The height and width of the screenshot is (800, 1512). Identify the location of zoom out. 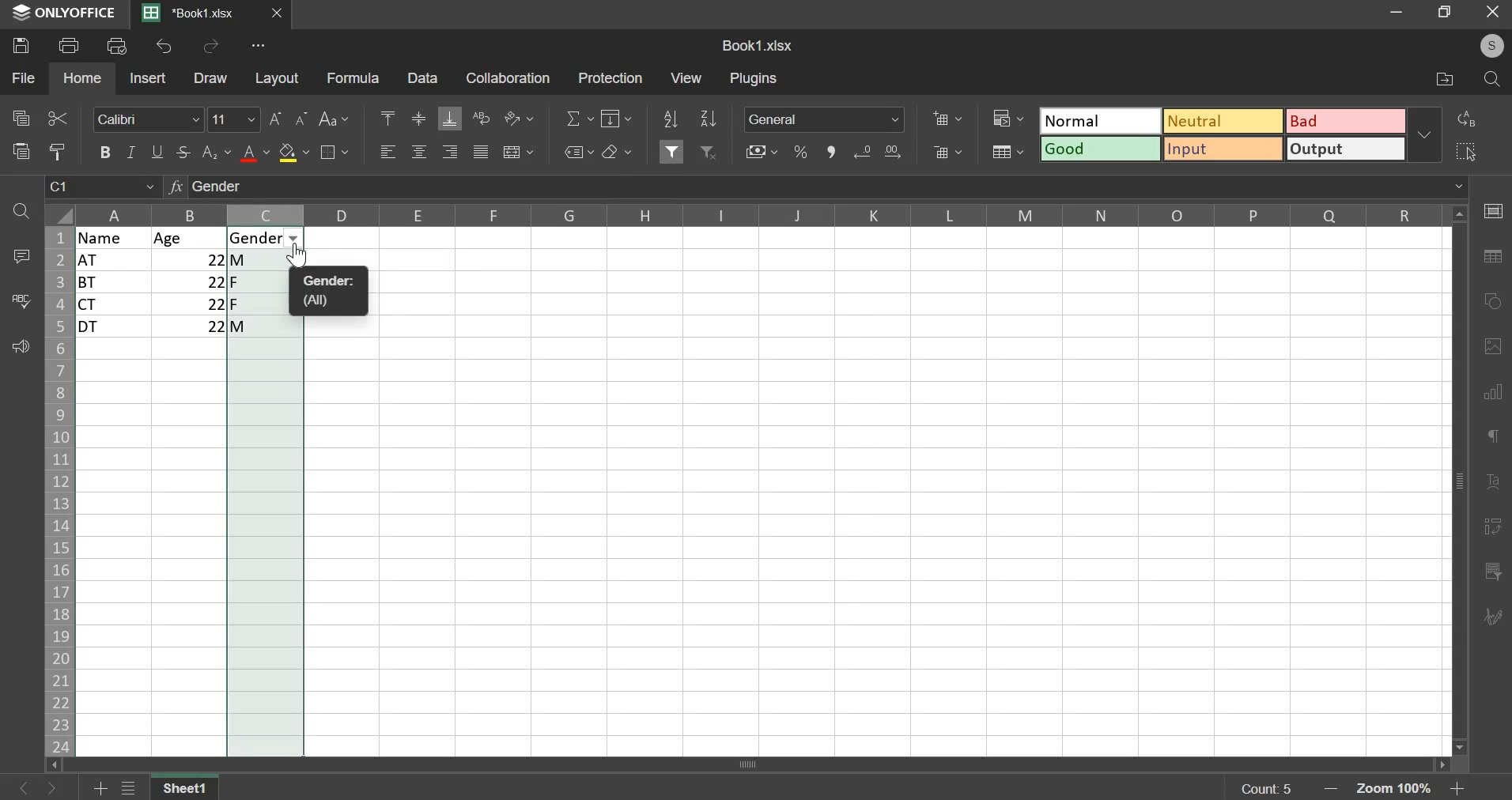
(1334, 789).